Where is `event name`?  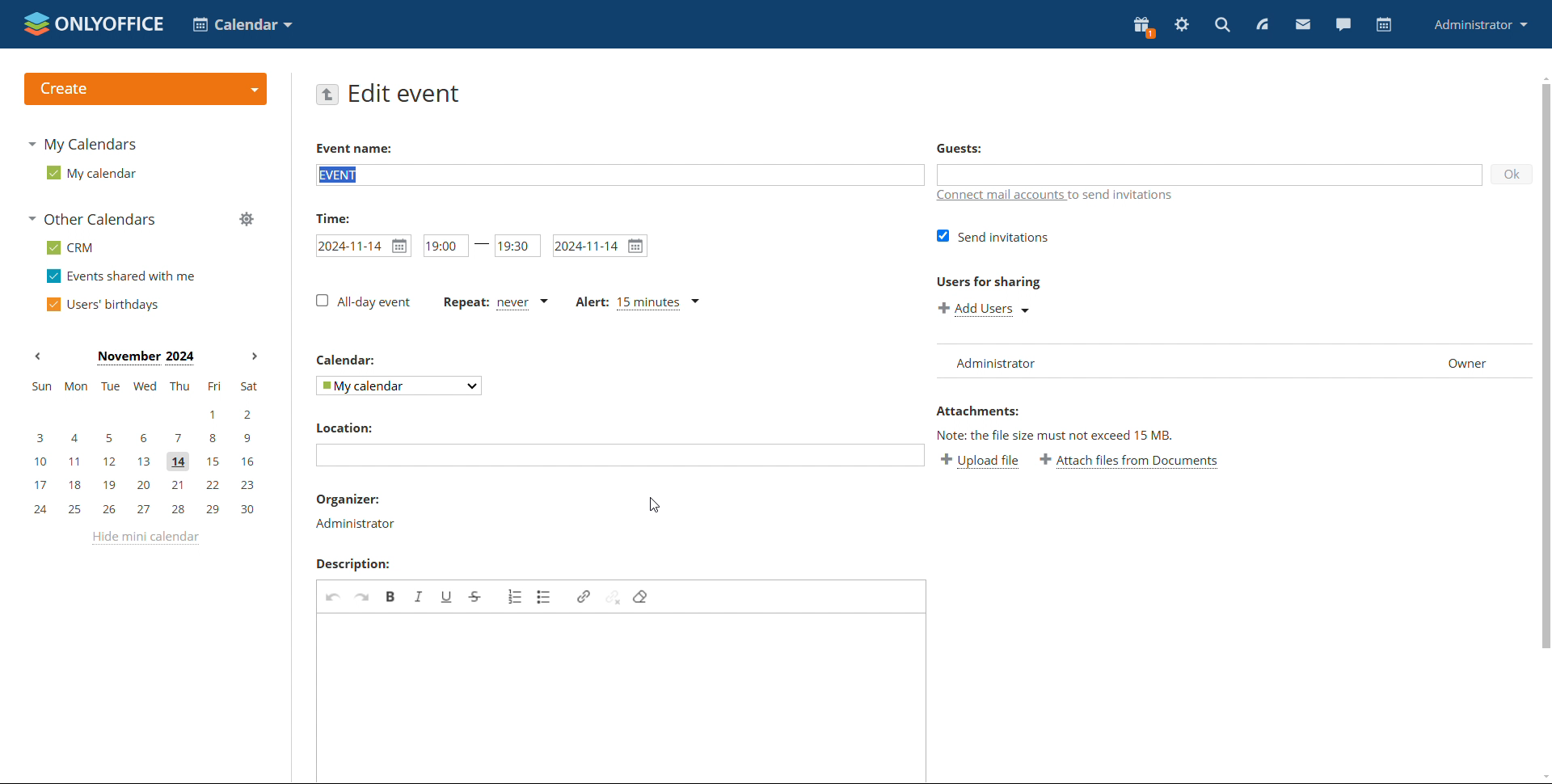 event name is located at coordinates (356, 147).